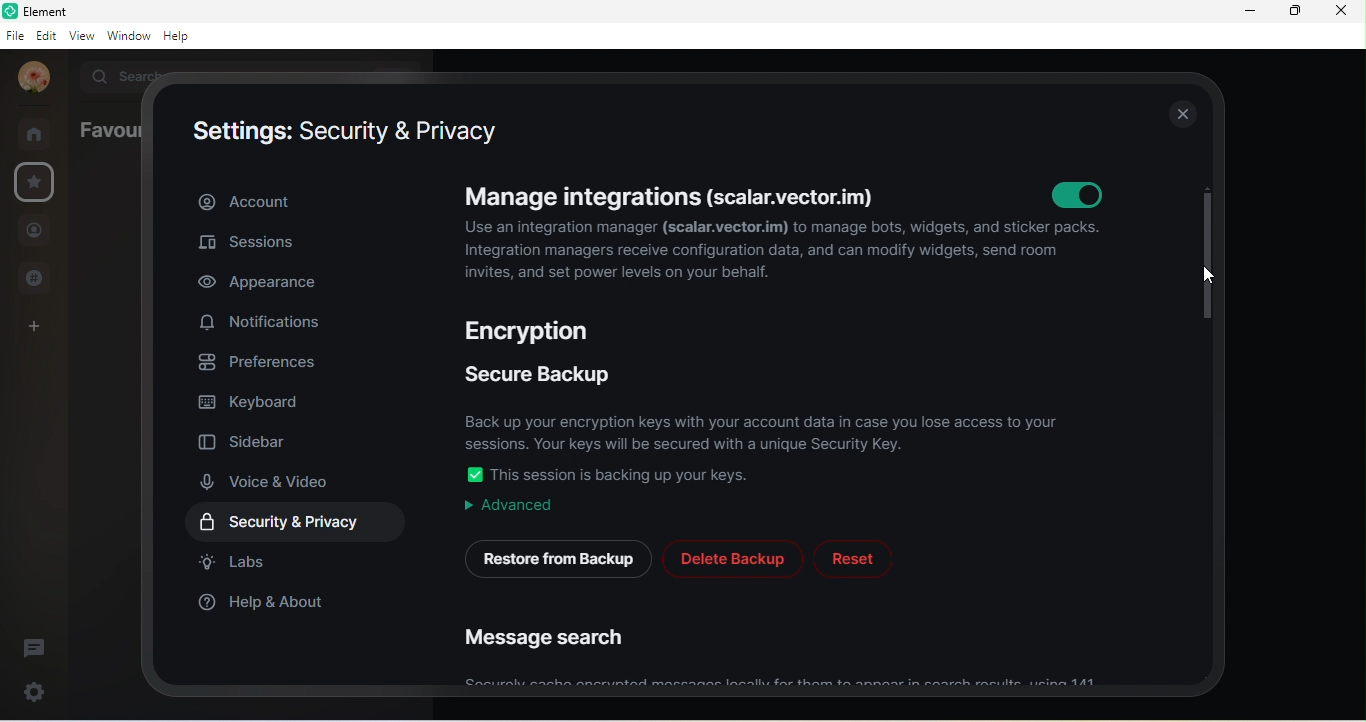 This screenshot has width=1366, height=722. What do you see at coordinates (14, 36) in the screenshot?
I see `file` at bounding box center [14, 36].